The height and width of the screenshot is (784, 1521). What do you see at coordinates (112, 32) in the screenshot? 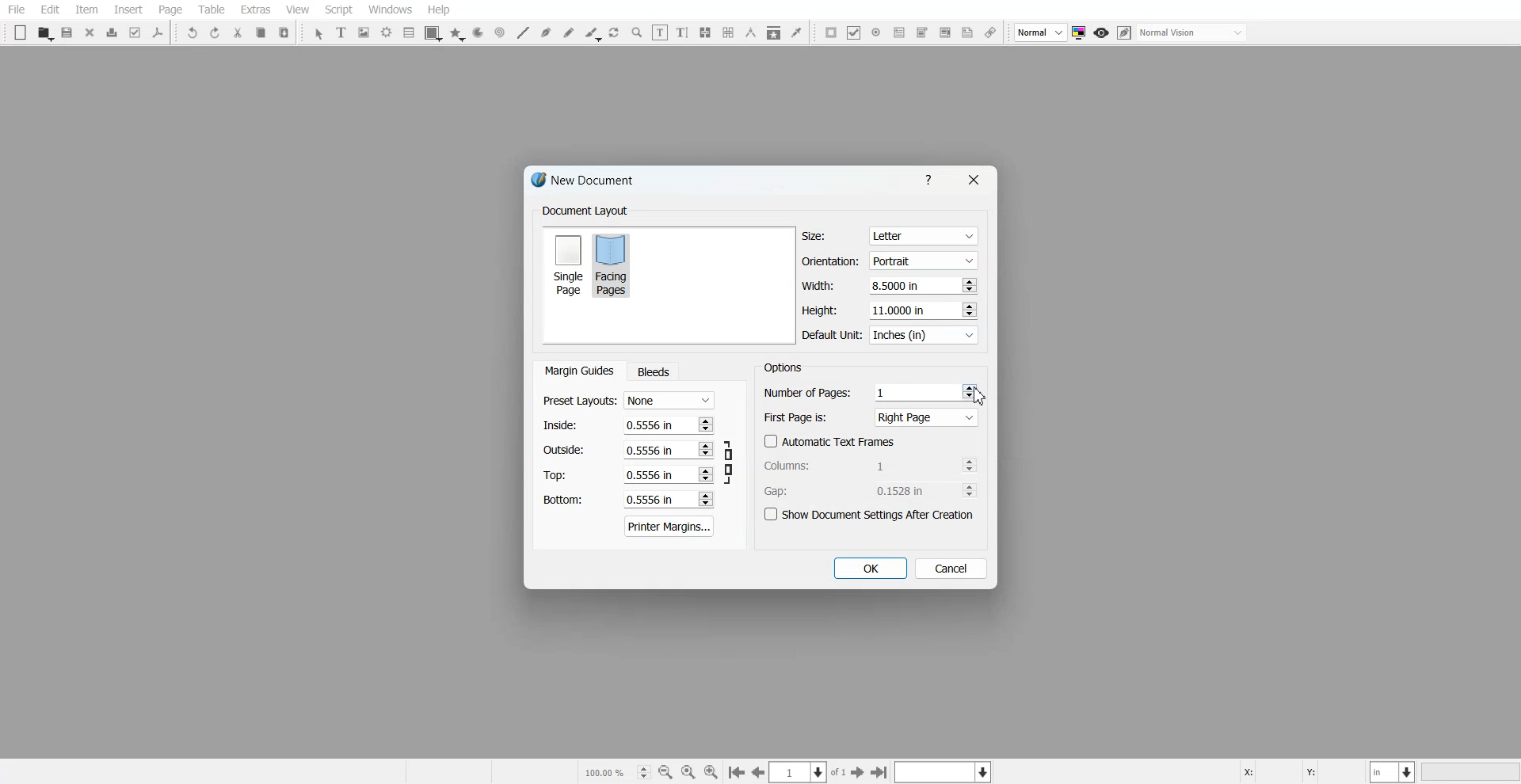
I see `Print` at bounding box center [112, 32].